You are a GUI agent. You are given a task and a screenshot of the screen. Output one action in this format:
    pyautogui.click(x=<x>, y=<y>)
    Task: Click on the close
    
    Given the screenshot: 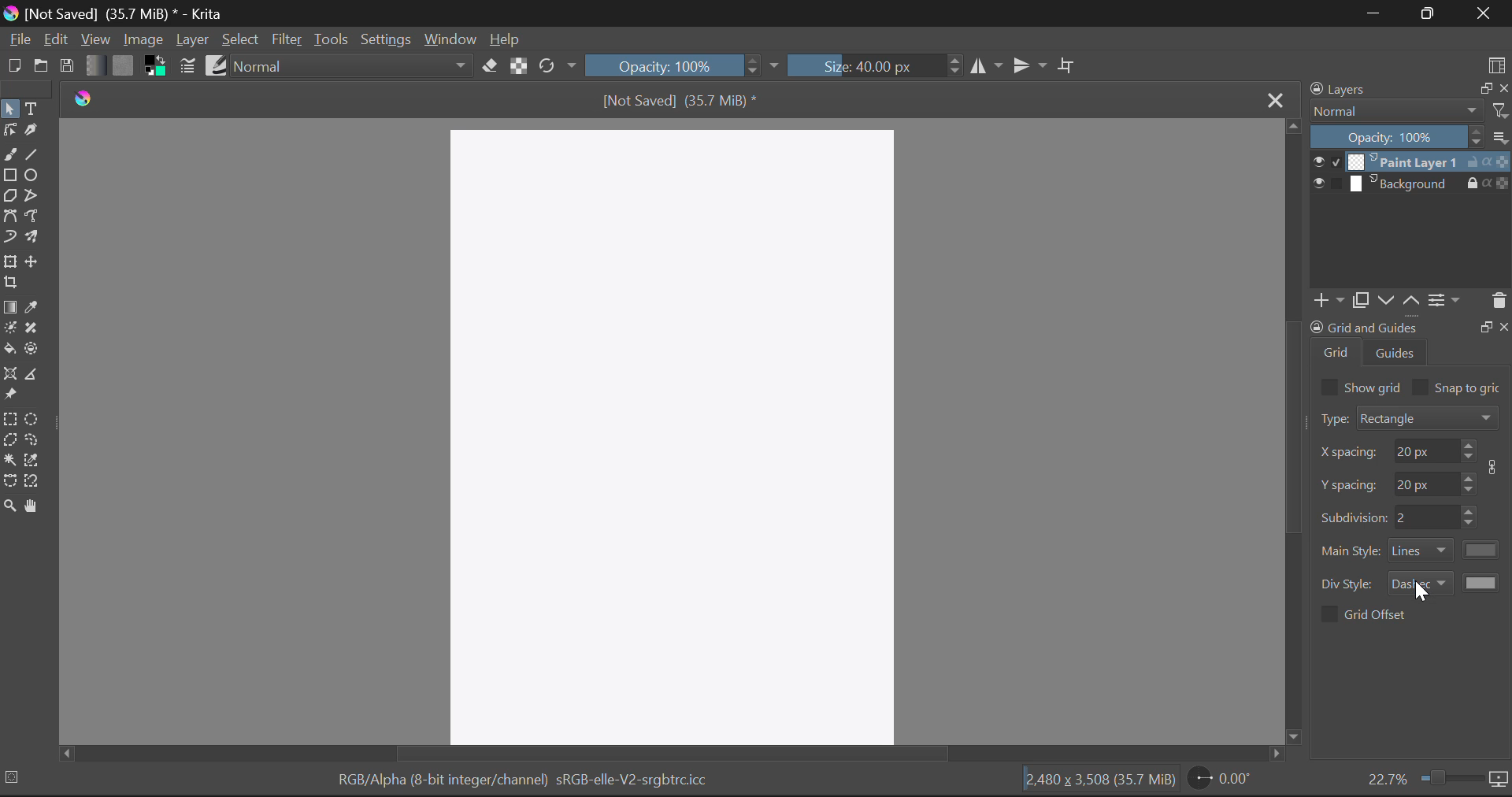 What is the action you would take?
    pyautogui.click(x=1503, y=88)
    